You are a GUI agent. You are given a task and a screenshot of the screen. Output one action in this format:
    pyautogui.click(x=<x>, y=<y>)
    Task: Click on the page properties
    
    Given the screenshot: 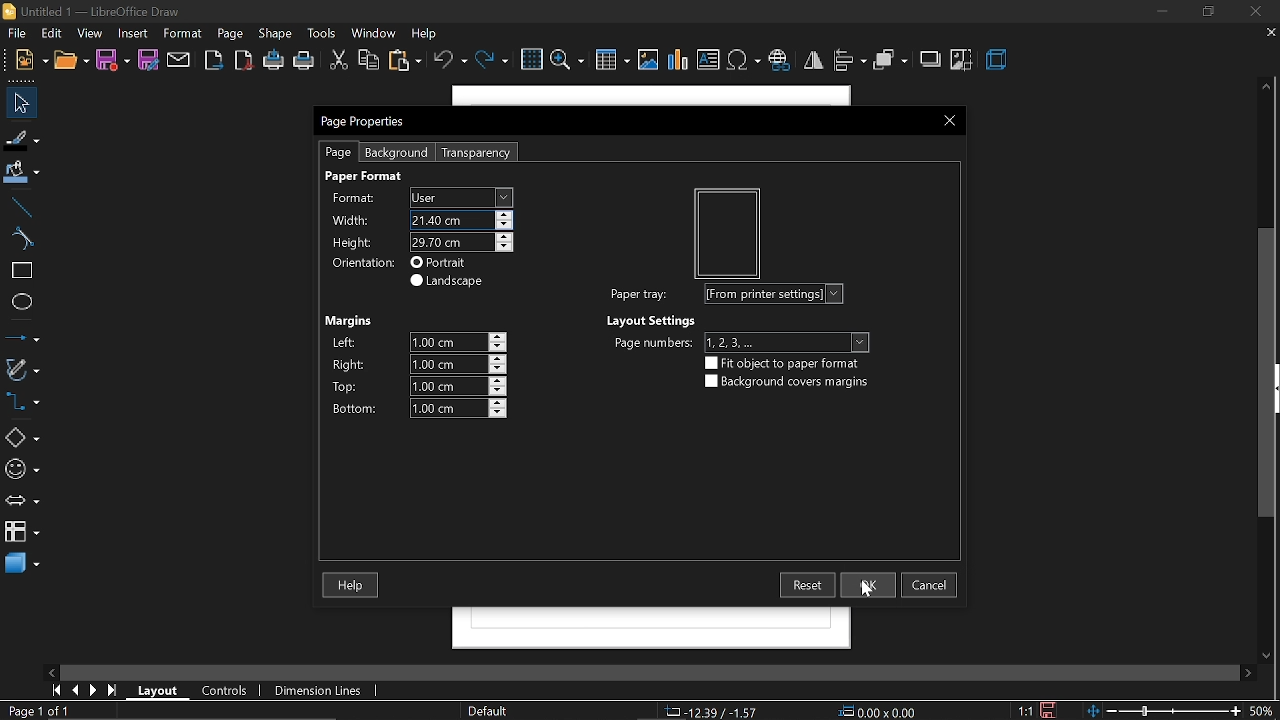 What is the action you would take?
    pyautogui.click(x=374, y=120)
    